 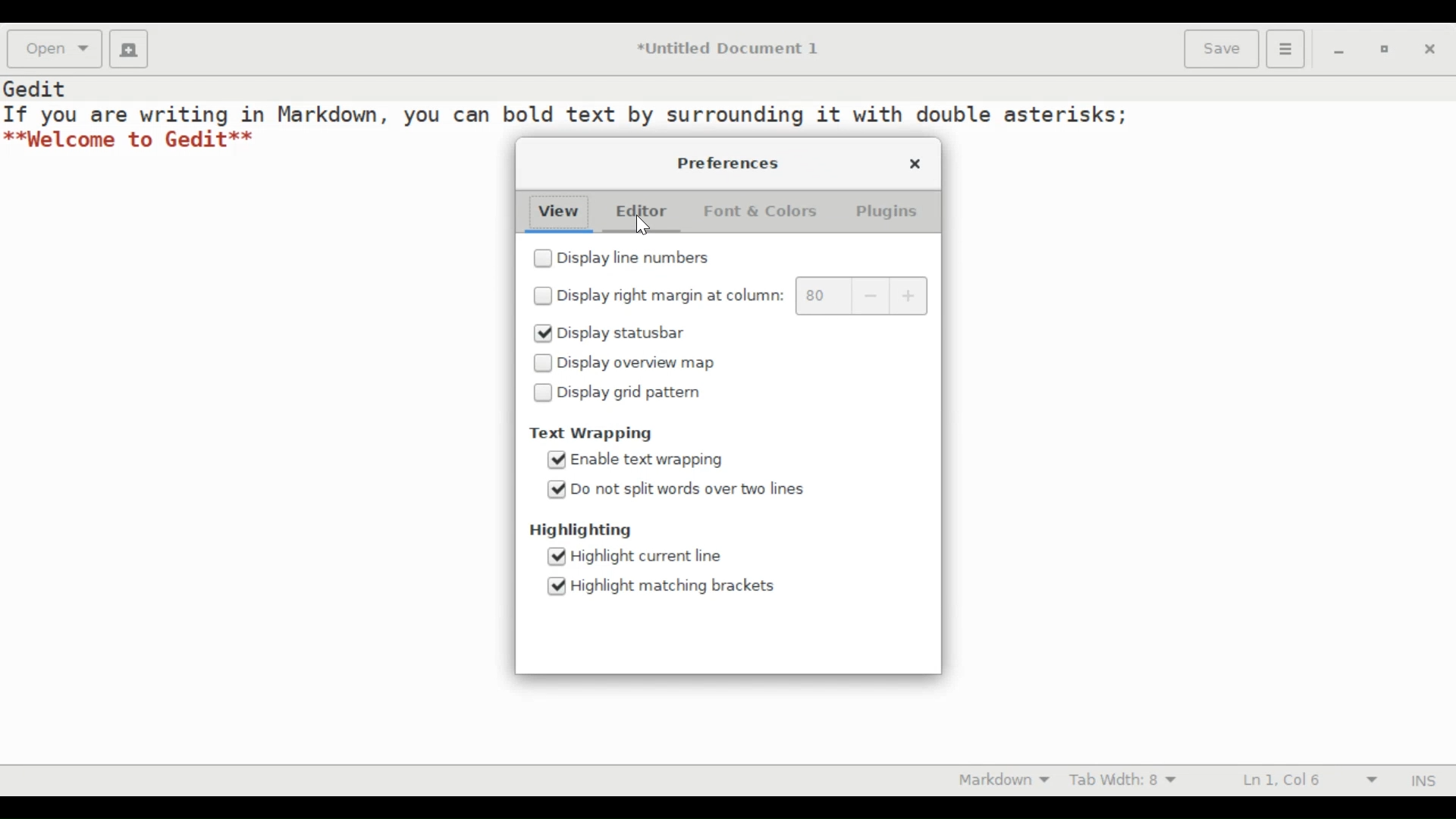 I want to click on INS, so click(x=1424, y=782).